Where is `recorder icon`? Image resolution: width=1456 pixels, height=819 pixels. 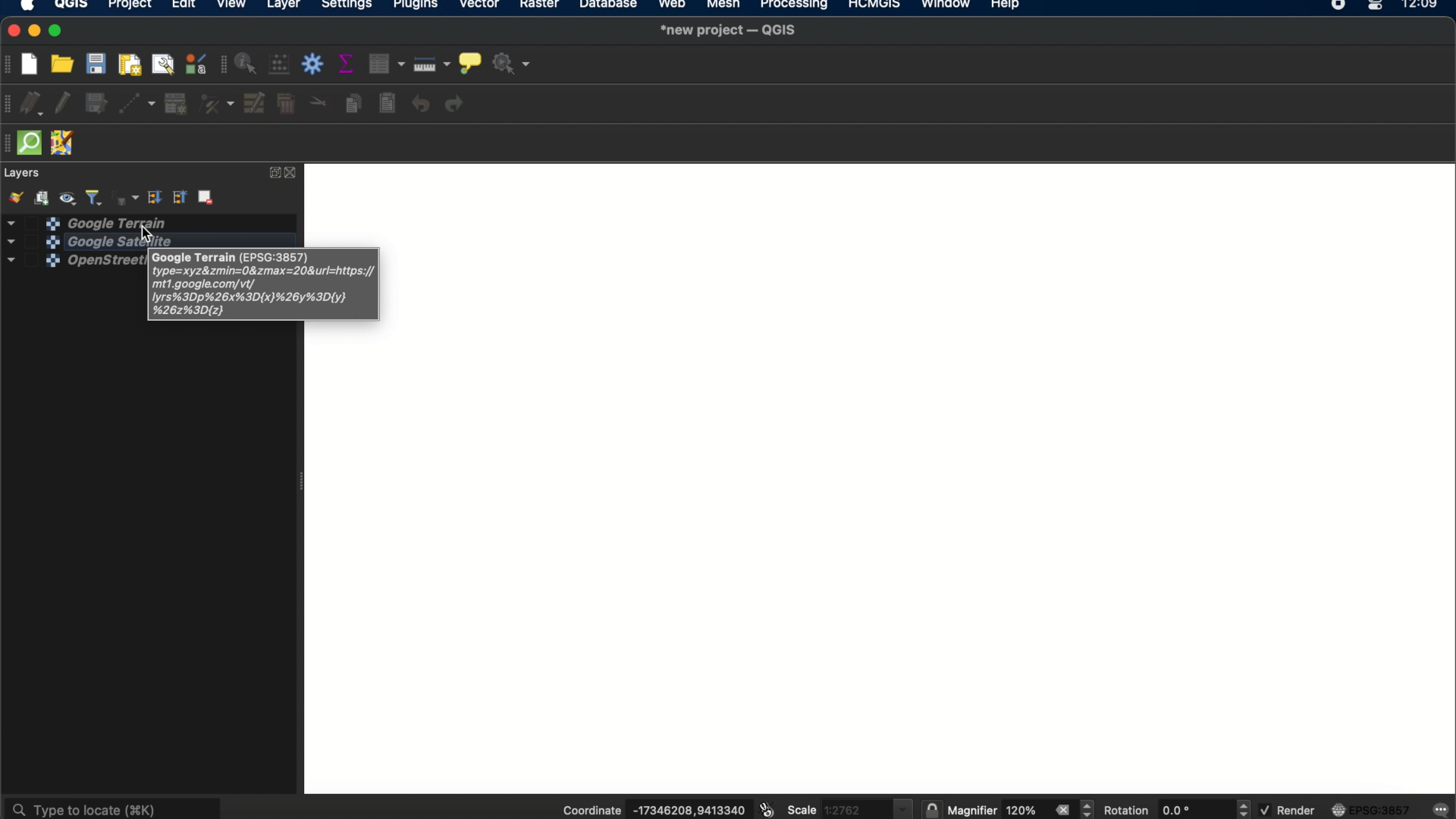
recorder icon is located at coordinates (1339, 6).